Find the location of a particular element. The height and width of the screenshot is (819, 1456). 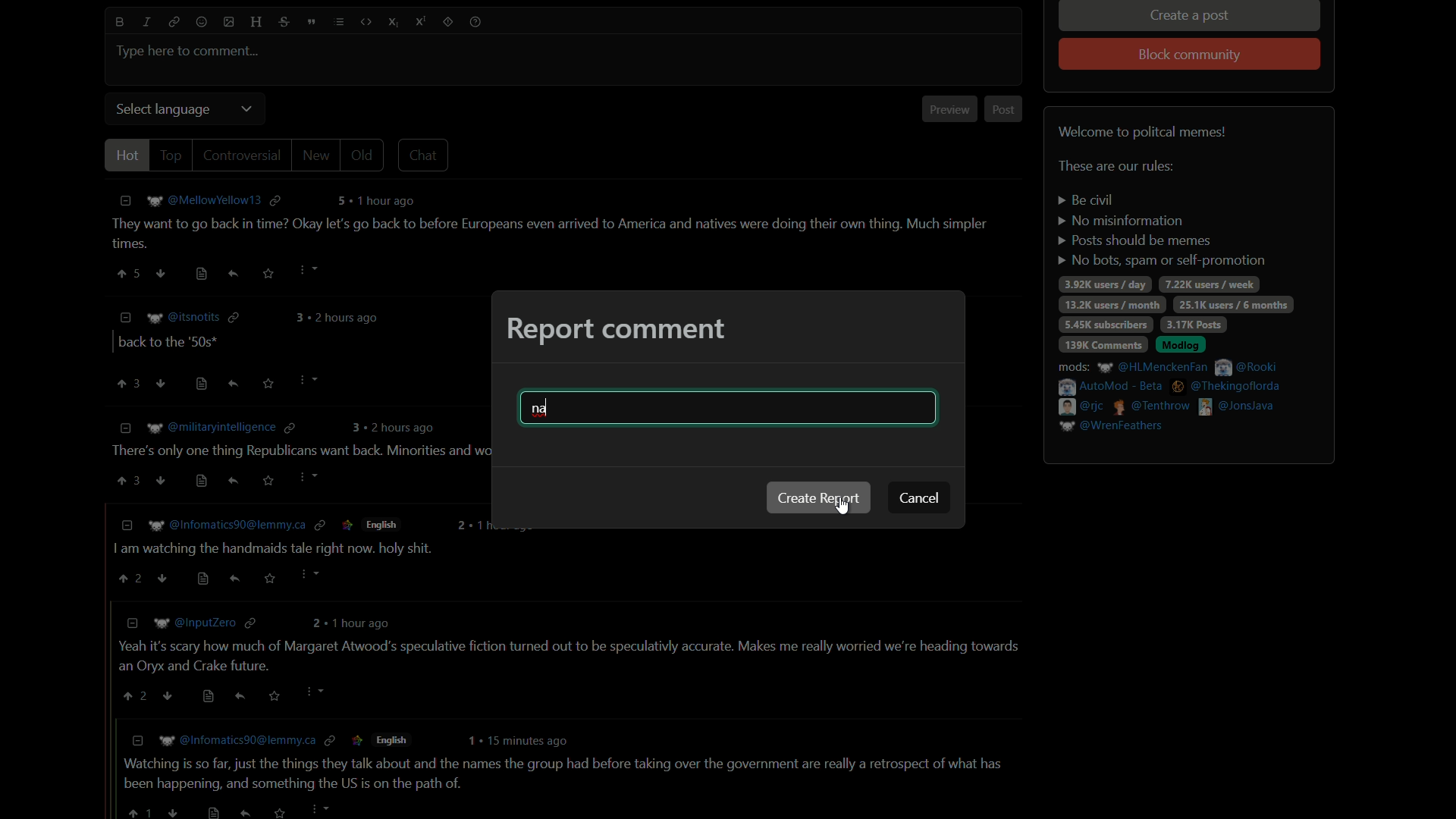

quote is located at coordinates (311, 21).